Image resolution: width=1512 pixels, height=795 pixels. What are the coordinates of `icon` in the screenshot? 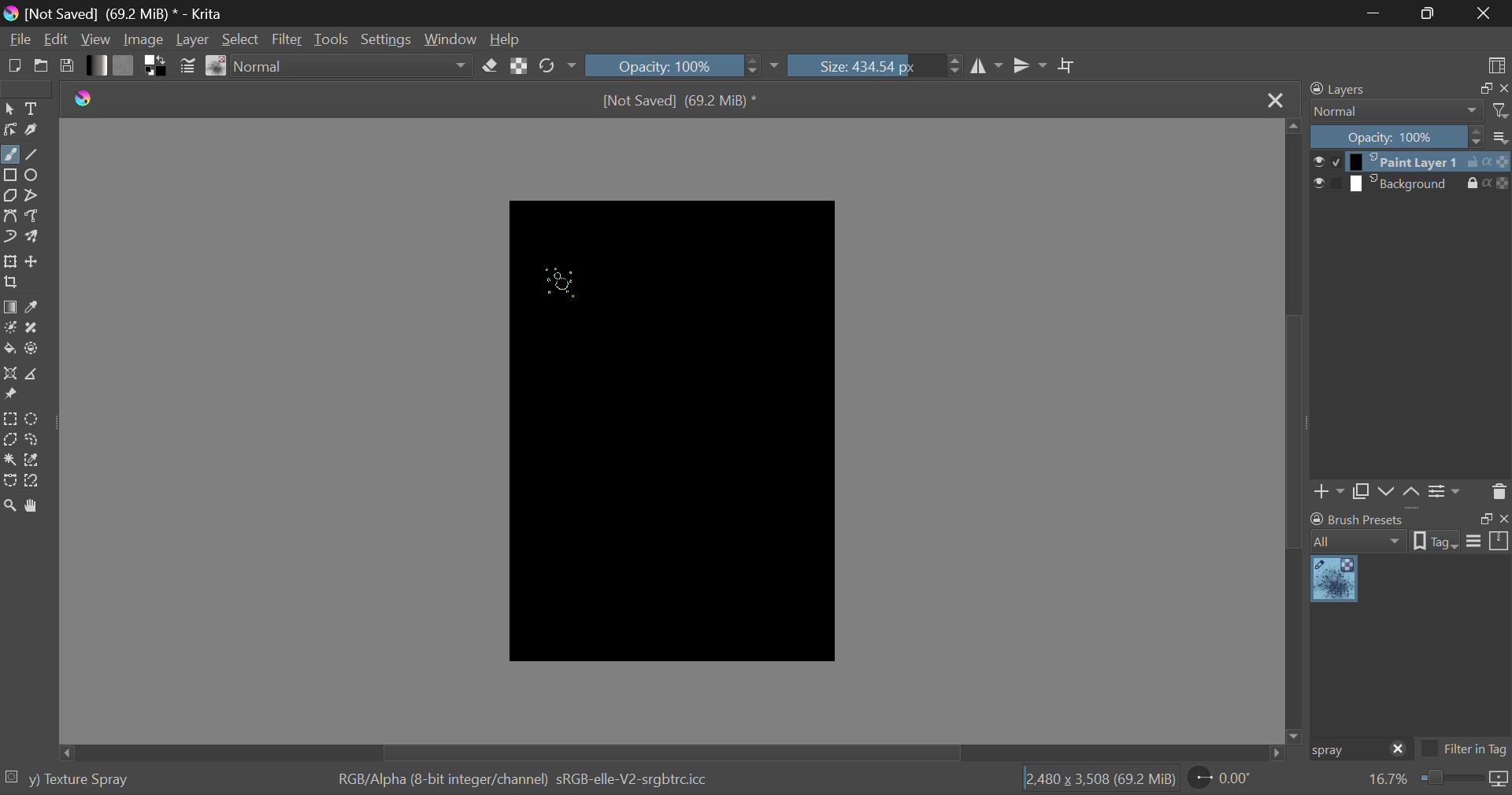 It's located at (1499, 780).